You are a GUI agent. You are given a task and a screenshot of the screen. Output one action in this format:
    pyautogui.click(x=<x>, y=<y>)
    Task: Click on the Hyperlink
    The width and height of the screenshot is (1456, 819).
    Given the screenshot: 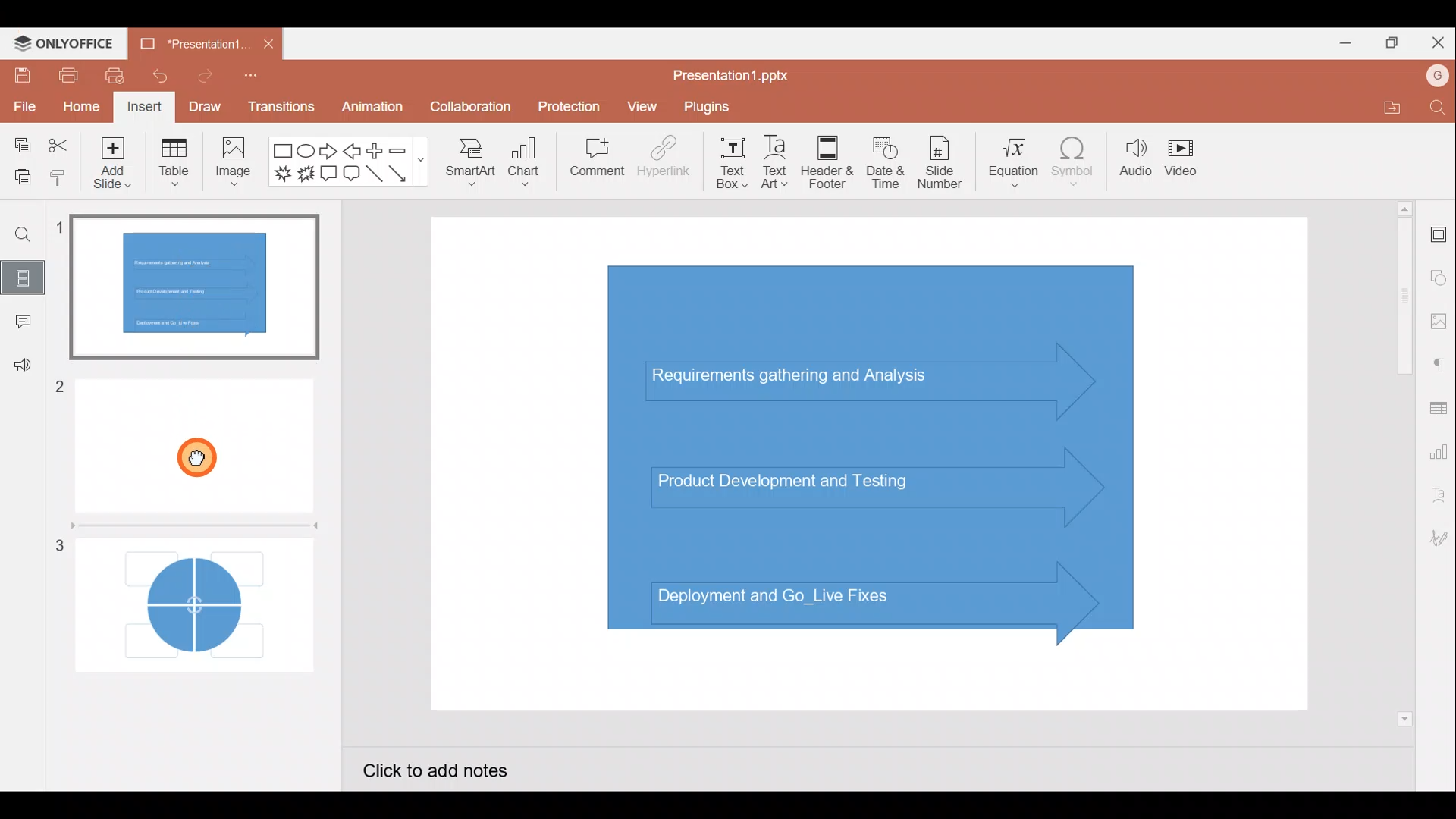 What is the action you would take?
    pyautogui.click(x=664, y=162)
    